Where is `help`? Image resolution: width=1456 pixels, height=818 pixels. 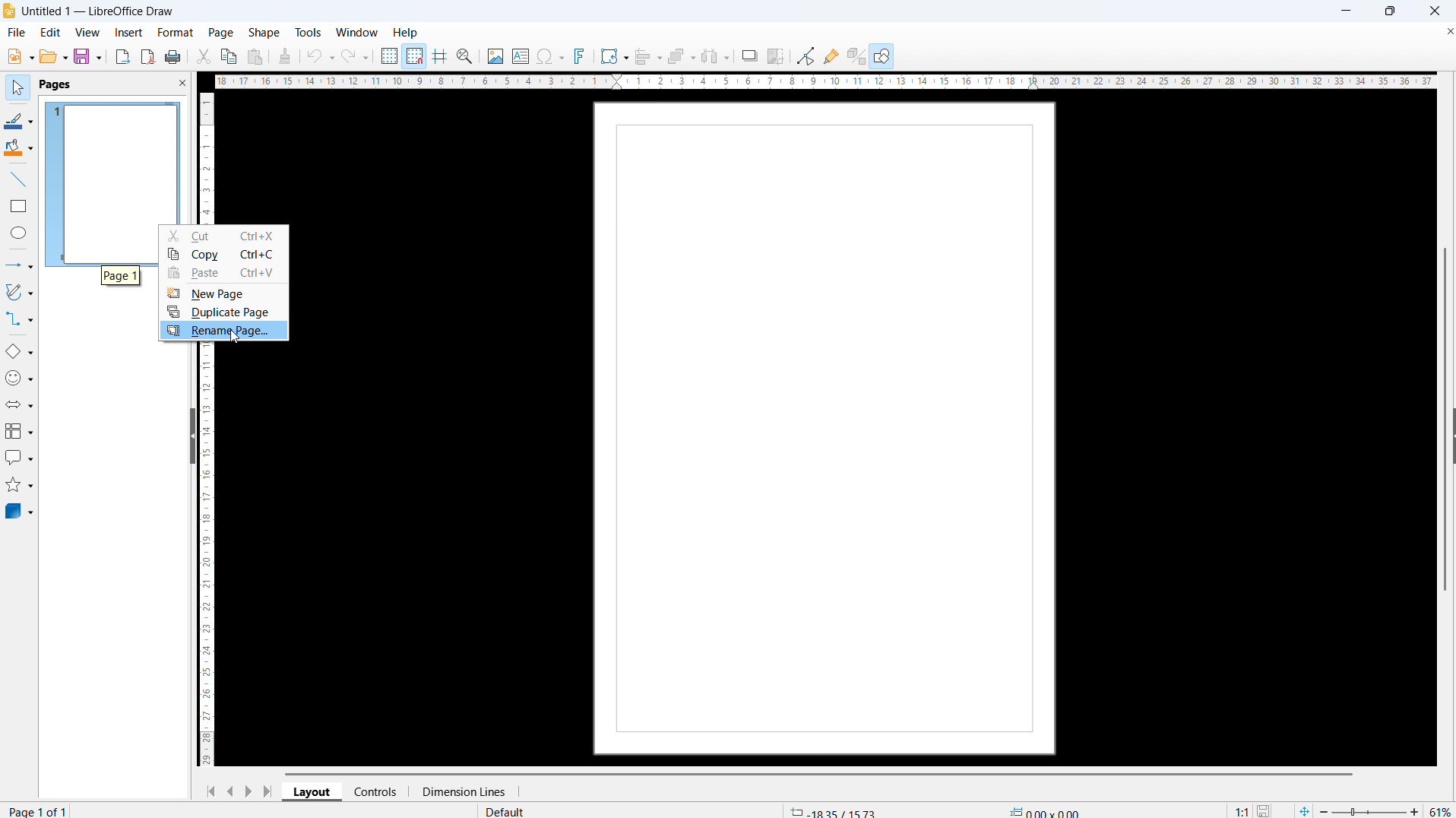
help is located at coordinates (406, 33).